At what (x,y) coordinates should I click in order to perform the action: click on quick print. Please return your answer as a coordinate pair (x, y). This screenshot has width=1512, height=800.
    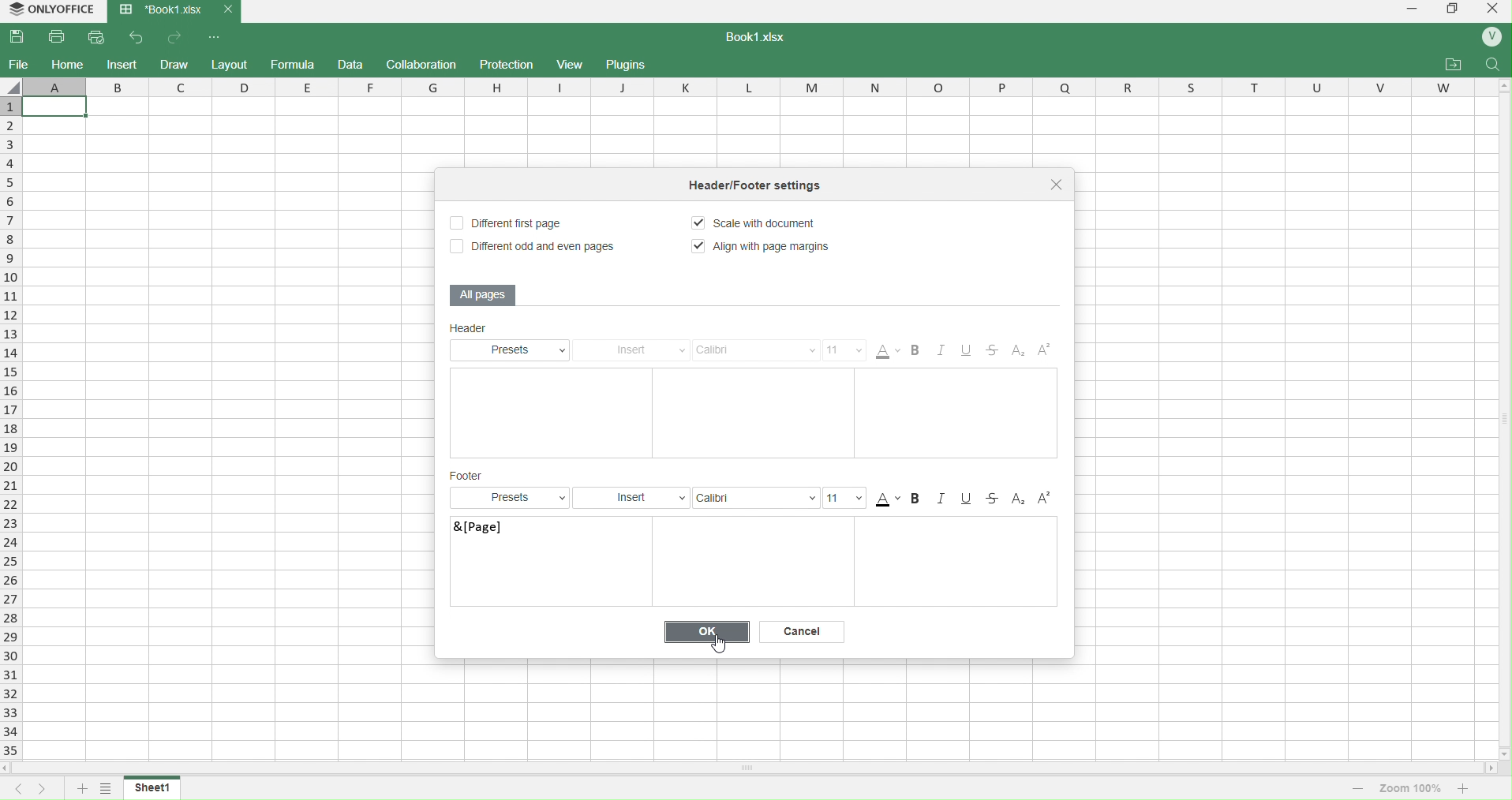
    Looking at the image, I should click on (99, 36).